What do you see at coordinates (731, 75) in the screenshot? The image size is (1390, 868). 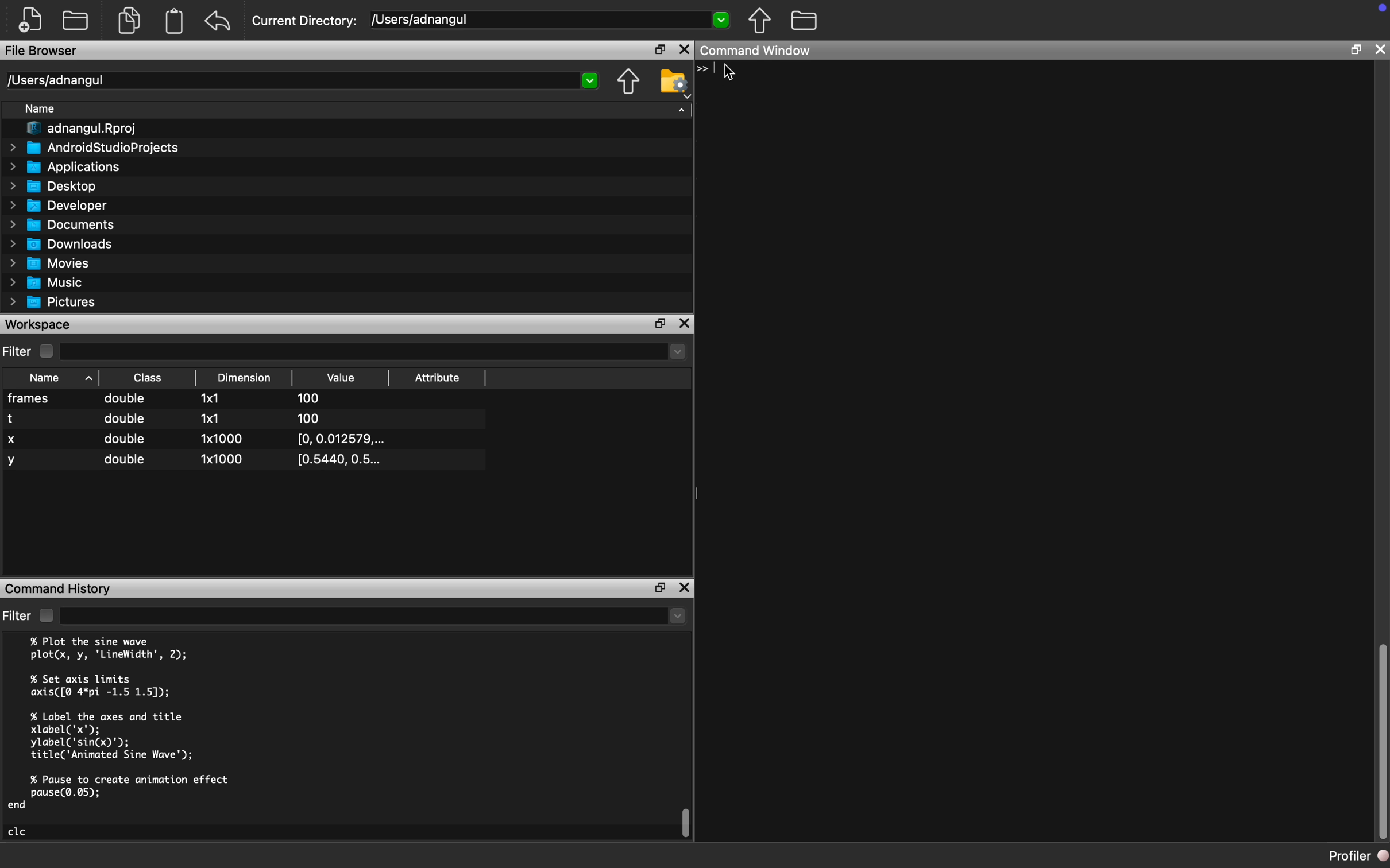 I see `Cursor` at bounding box center [731, 75].